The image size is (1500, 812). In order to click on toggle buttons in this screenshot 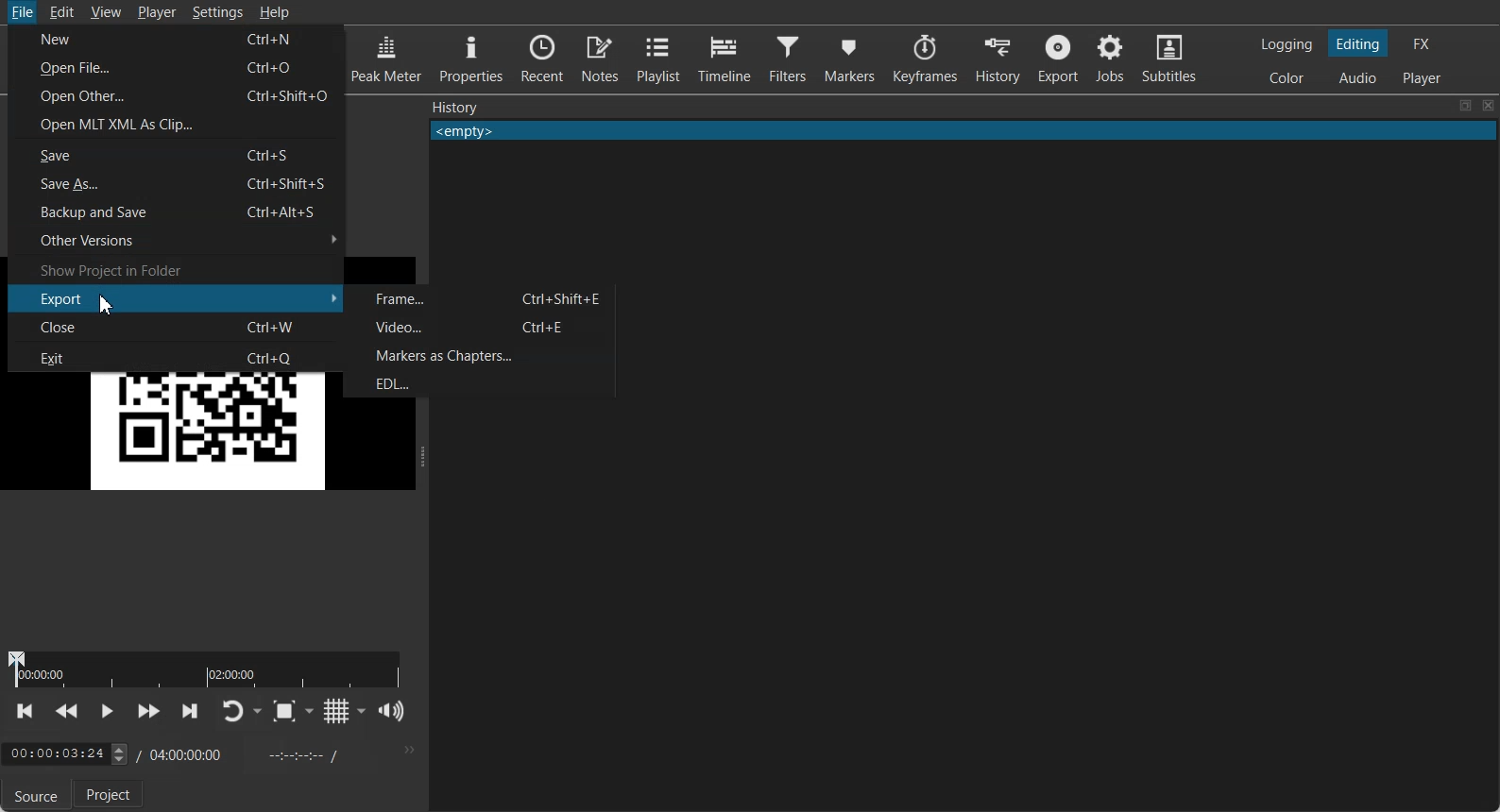, I will do `click(119, 754)`.